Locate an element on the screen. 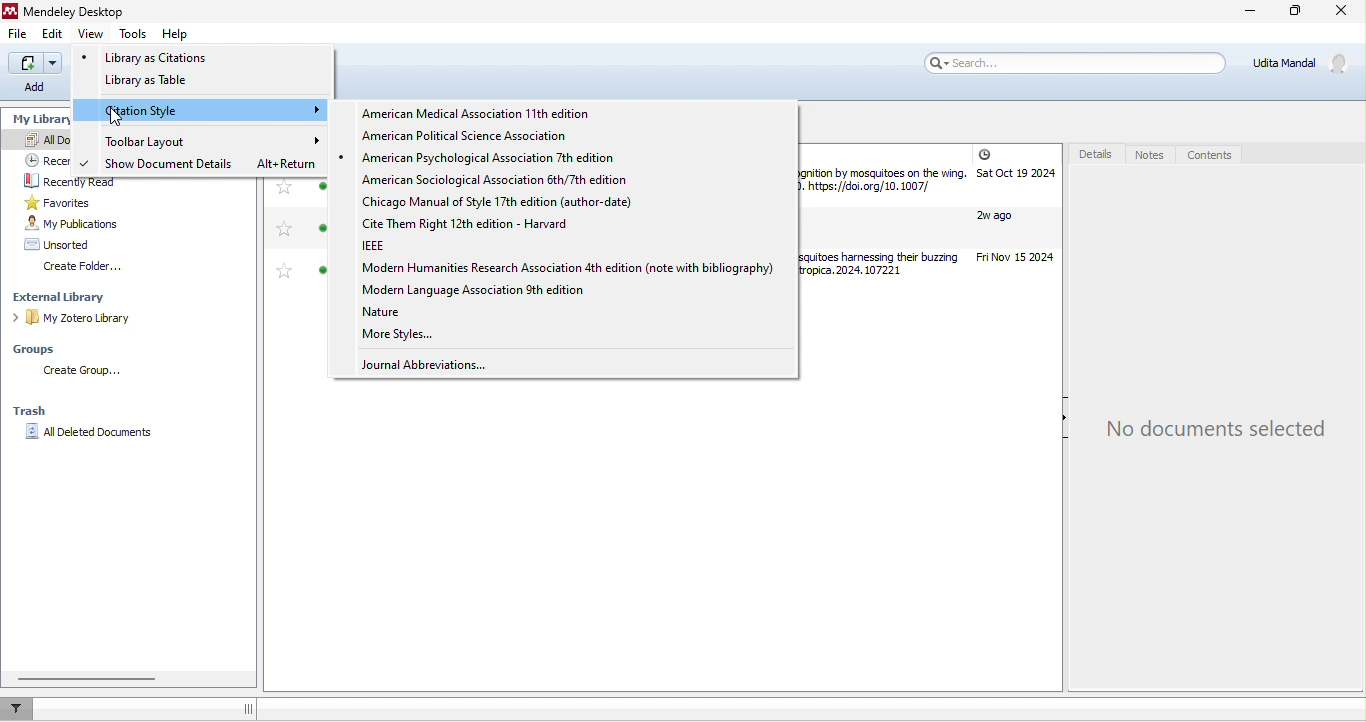 This screenshot has width=1366, height=722. AMErican Folitical cence Association is located at coordinates (474, 135).